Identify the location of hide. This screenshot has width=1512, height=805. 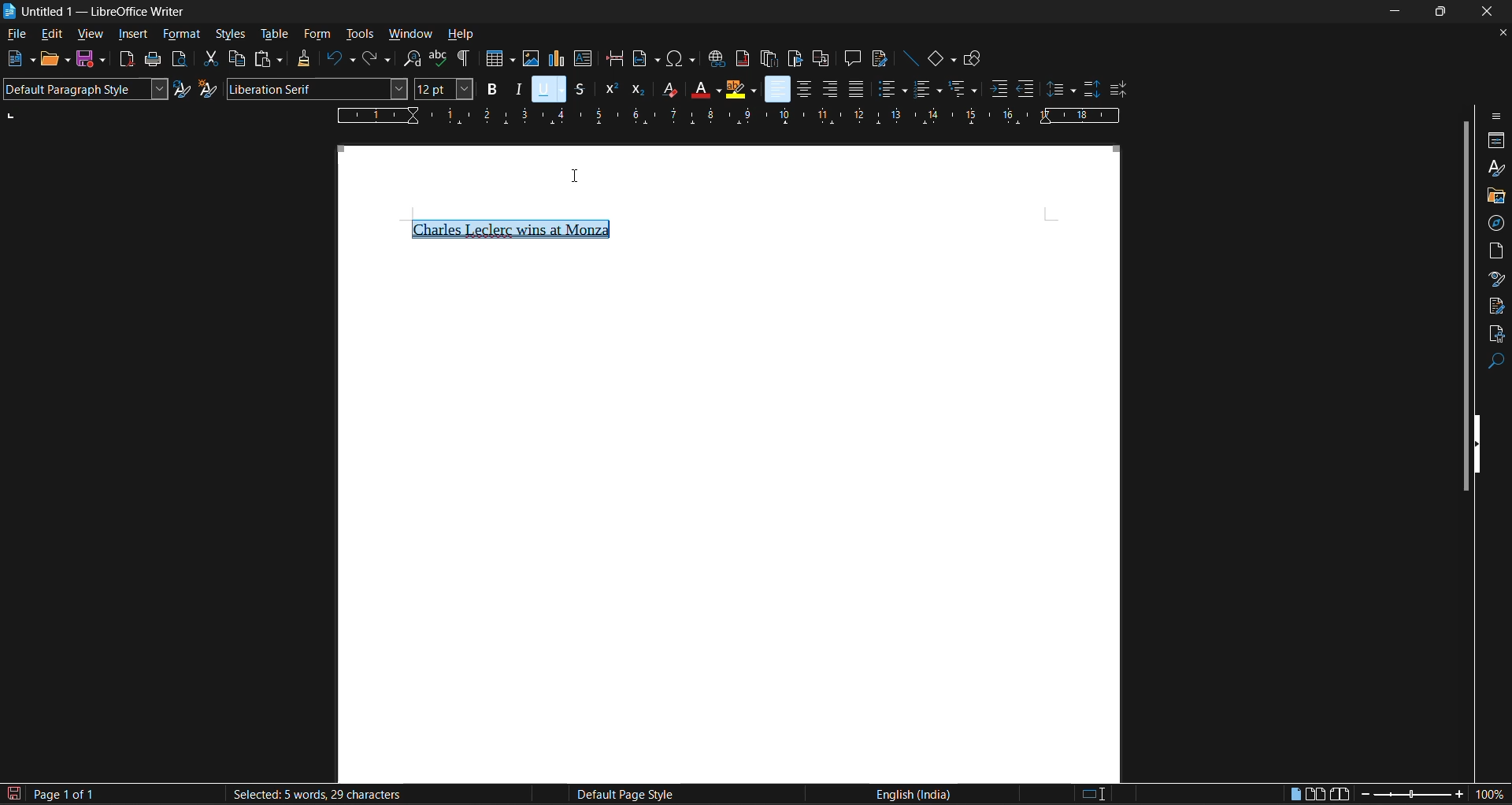
(1481, 443).